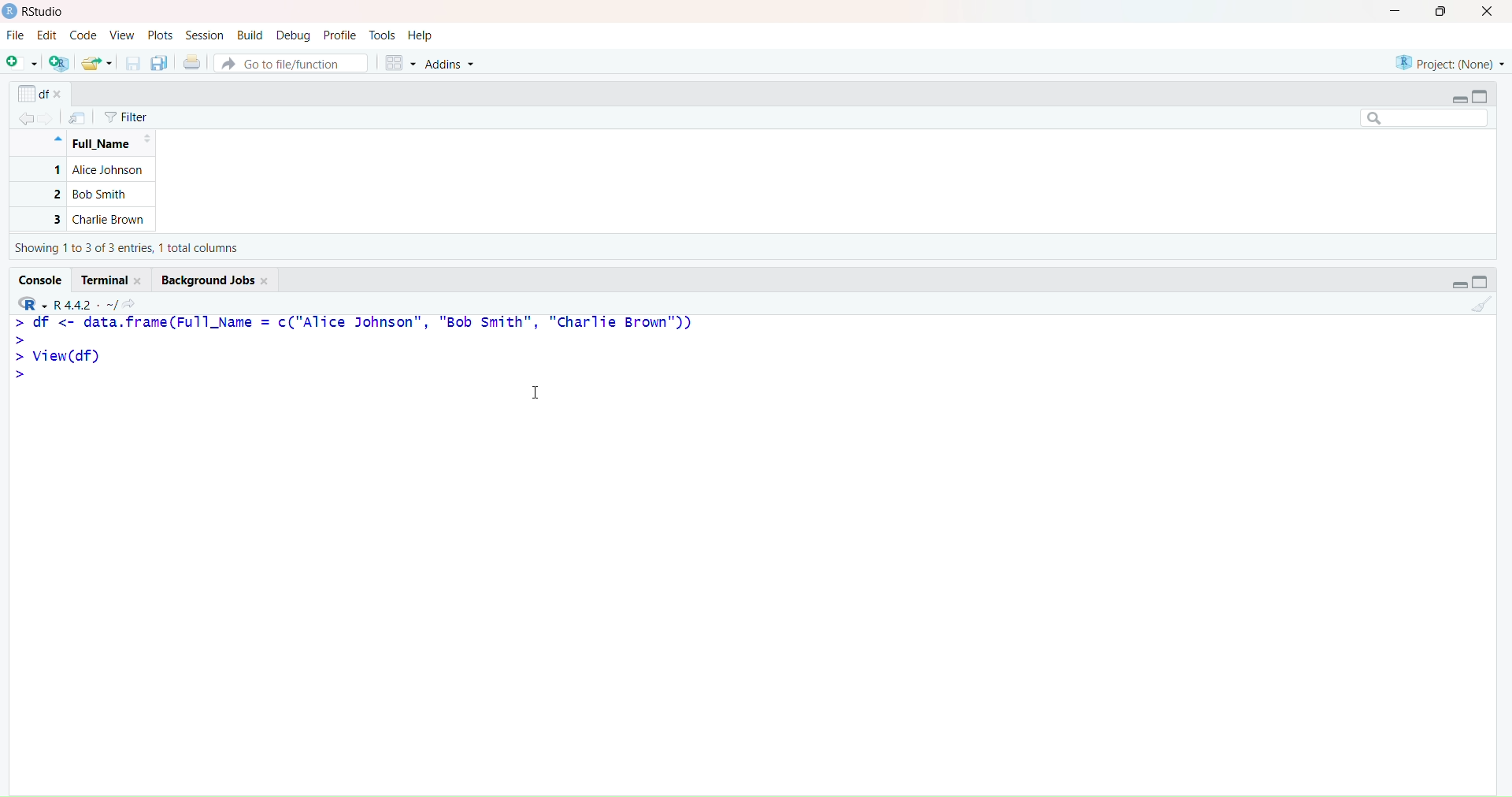 The width and height of the screenshot is (1512, 797). Describe the element at coordinates (1422, 119) in the screenshot. I see `Search bar` at that location.